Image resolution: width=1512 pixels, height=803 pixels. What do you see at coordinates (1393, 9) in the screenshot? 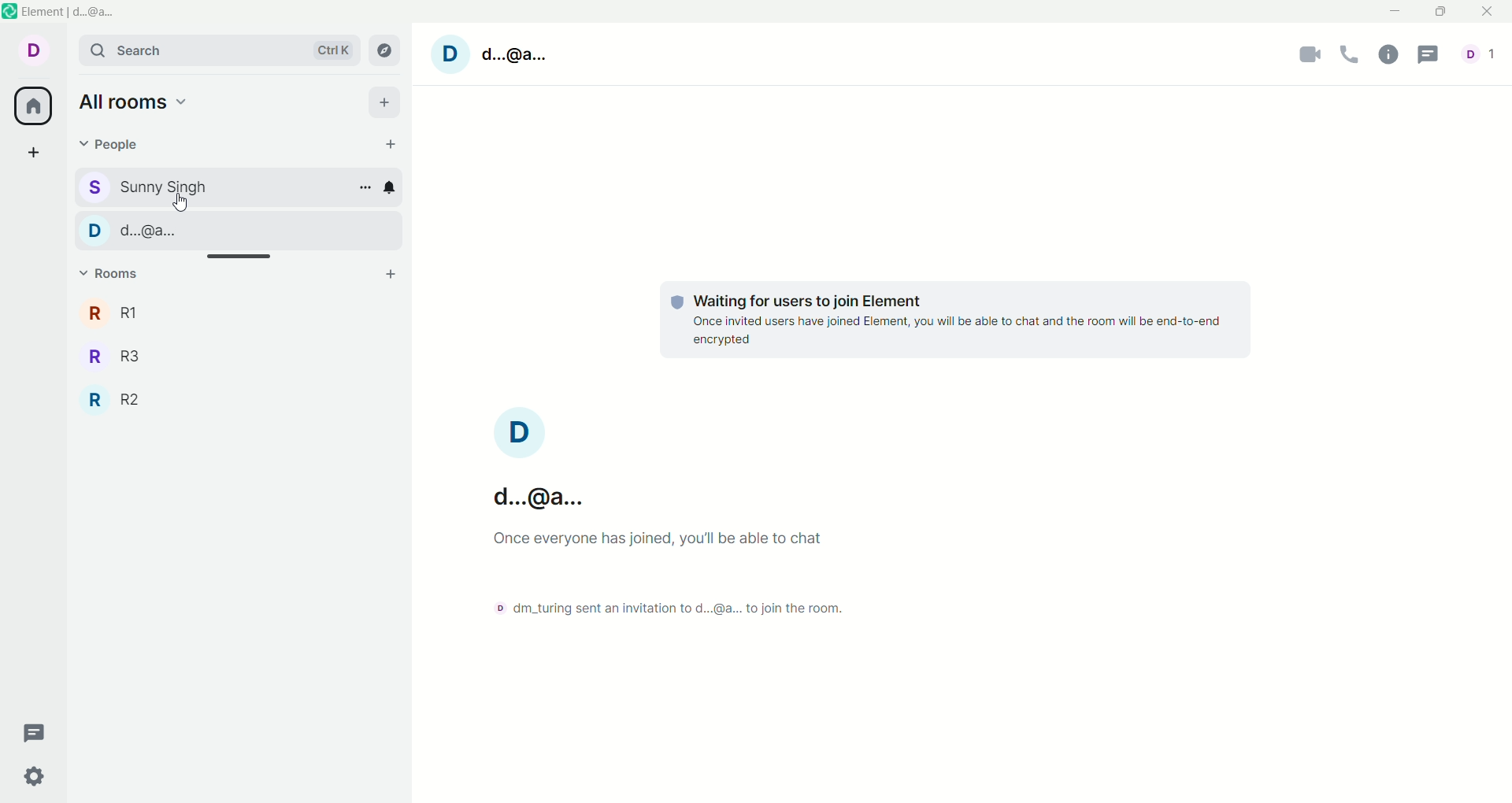
I see `minimize` at bounding box center [1393, 9].